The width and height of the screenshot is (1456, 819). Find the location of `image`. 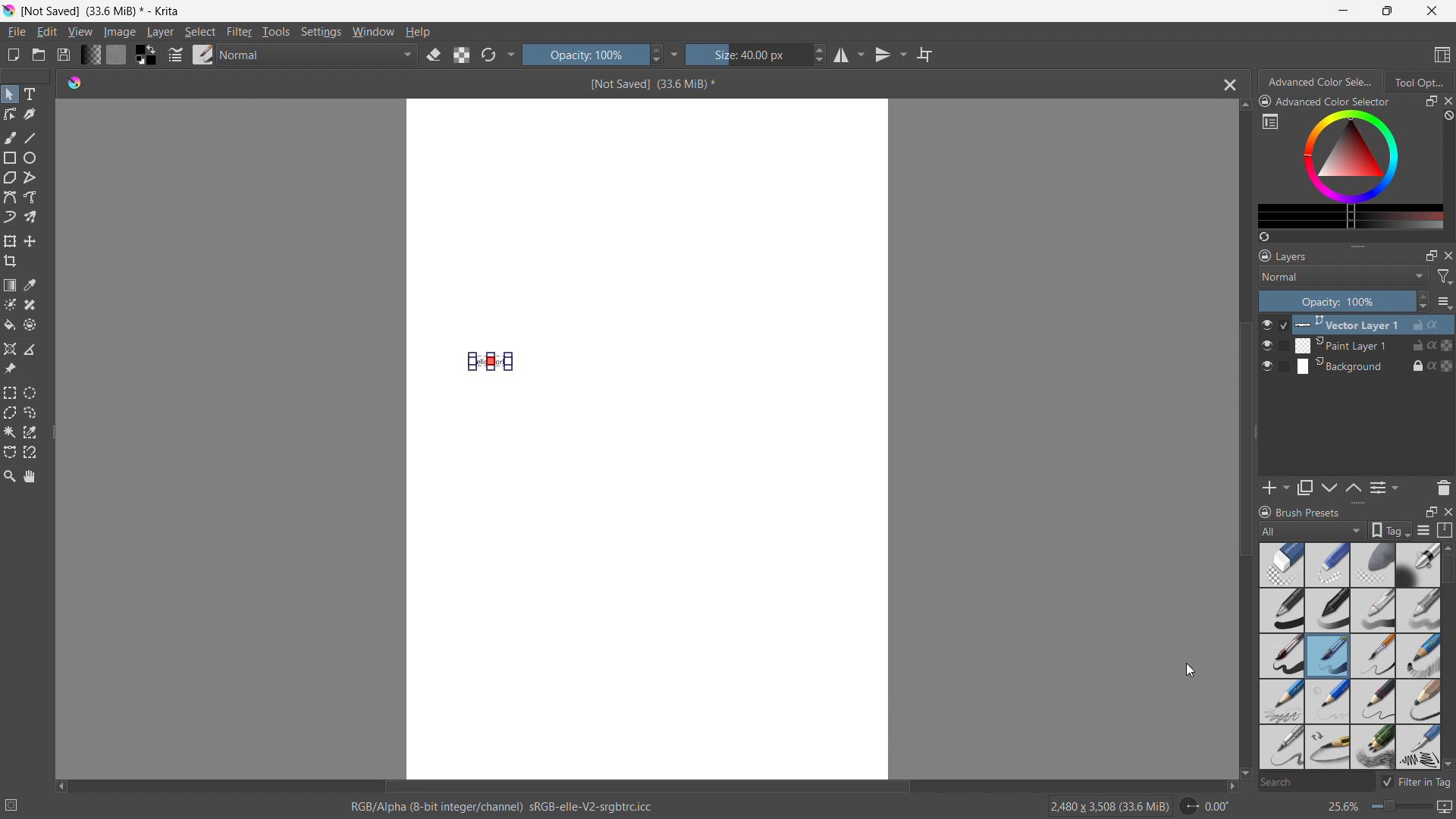

image is located at coordinates (121, 33).